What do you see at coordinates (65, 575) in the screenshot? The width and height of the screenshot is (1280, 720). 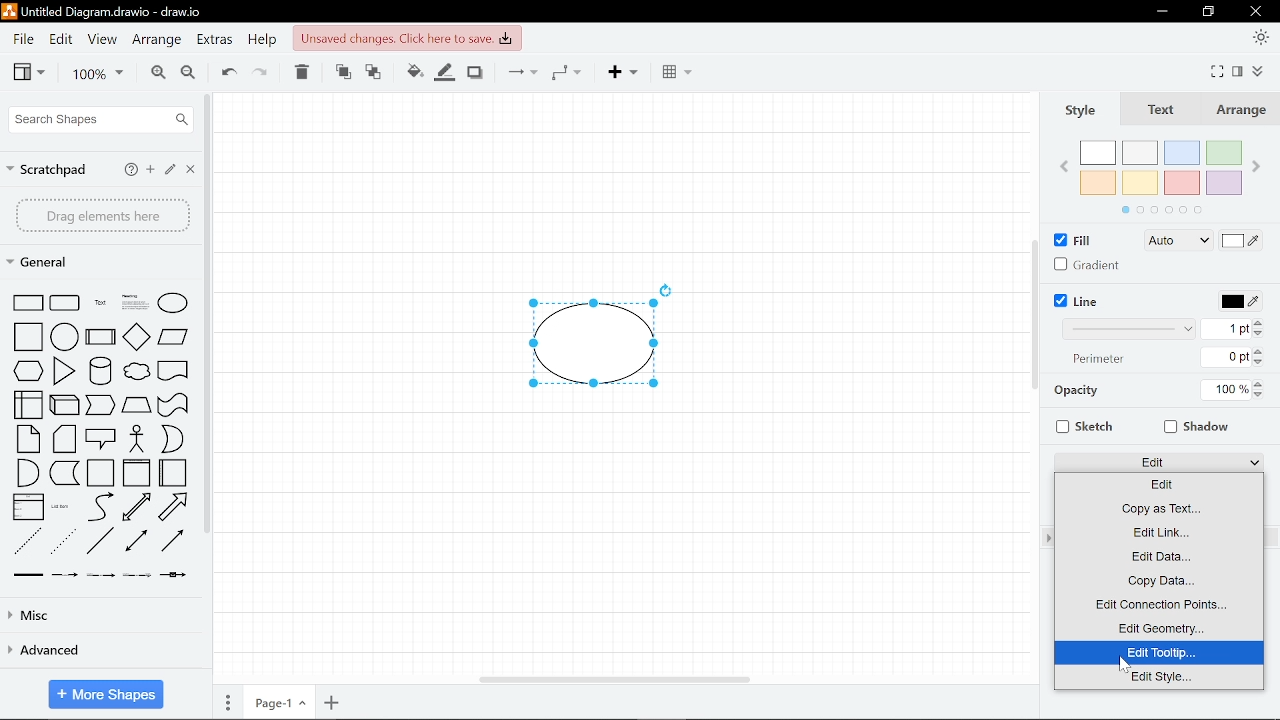 I see `connector with label` at bounding box center [65, 575].